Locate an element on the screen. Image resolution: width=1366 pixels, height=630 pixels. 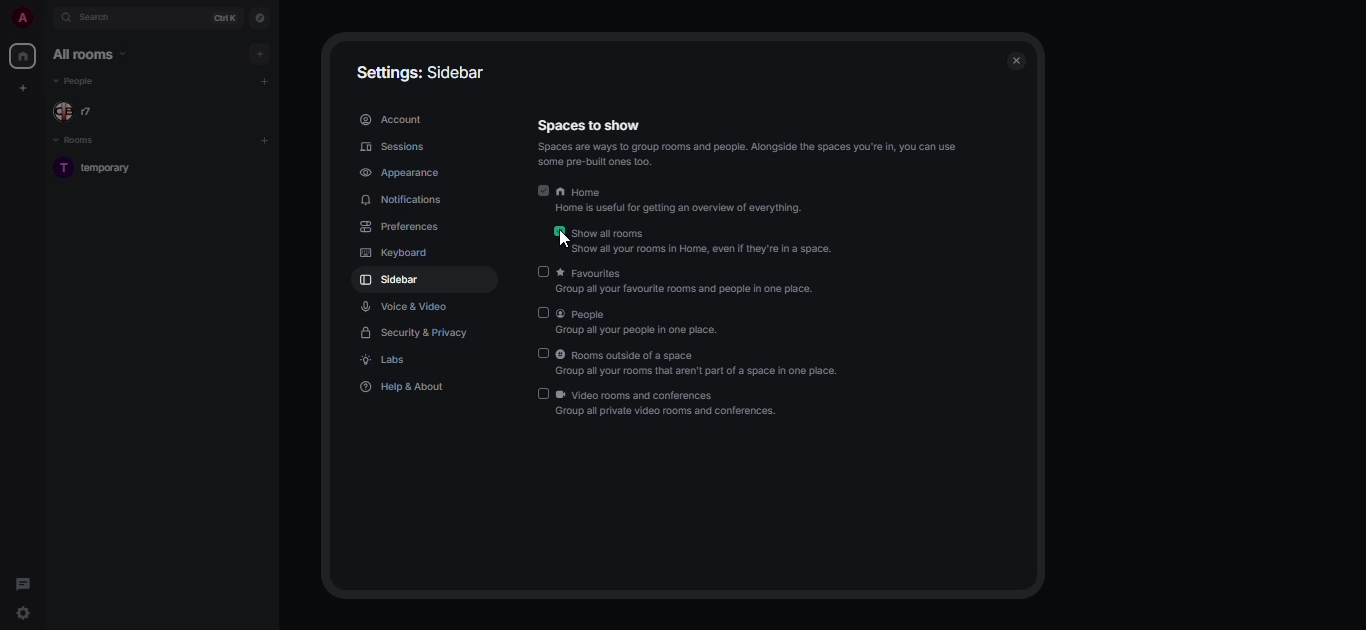
preferences is located at coordinates (406, 228).